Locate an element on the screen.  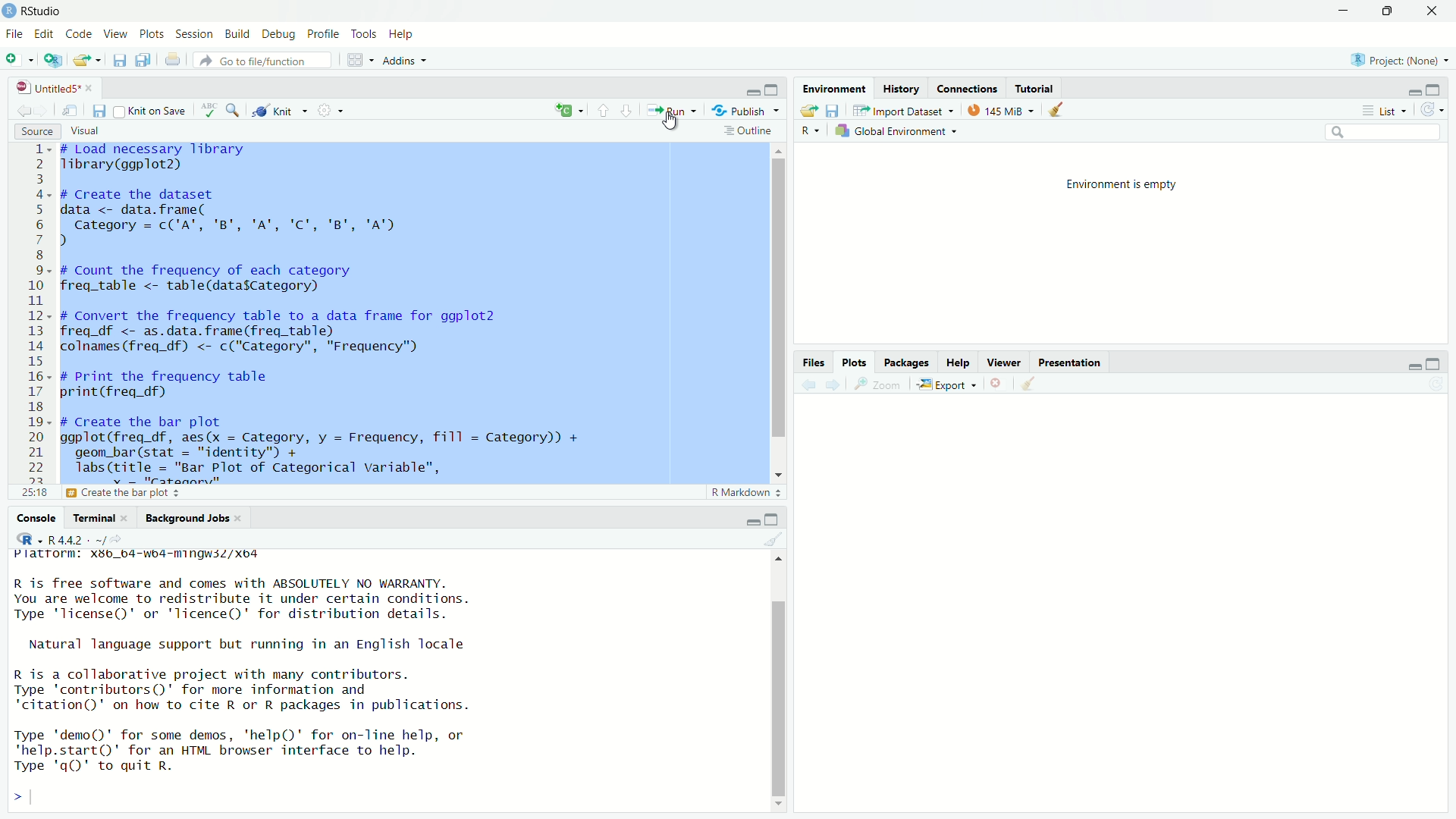
minimize is located at coordinates (1413, 368).